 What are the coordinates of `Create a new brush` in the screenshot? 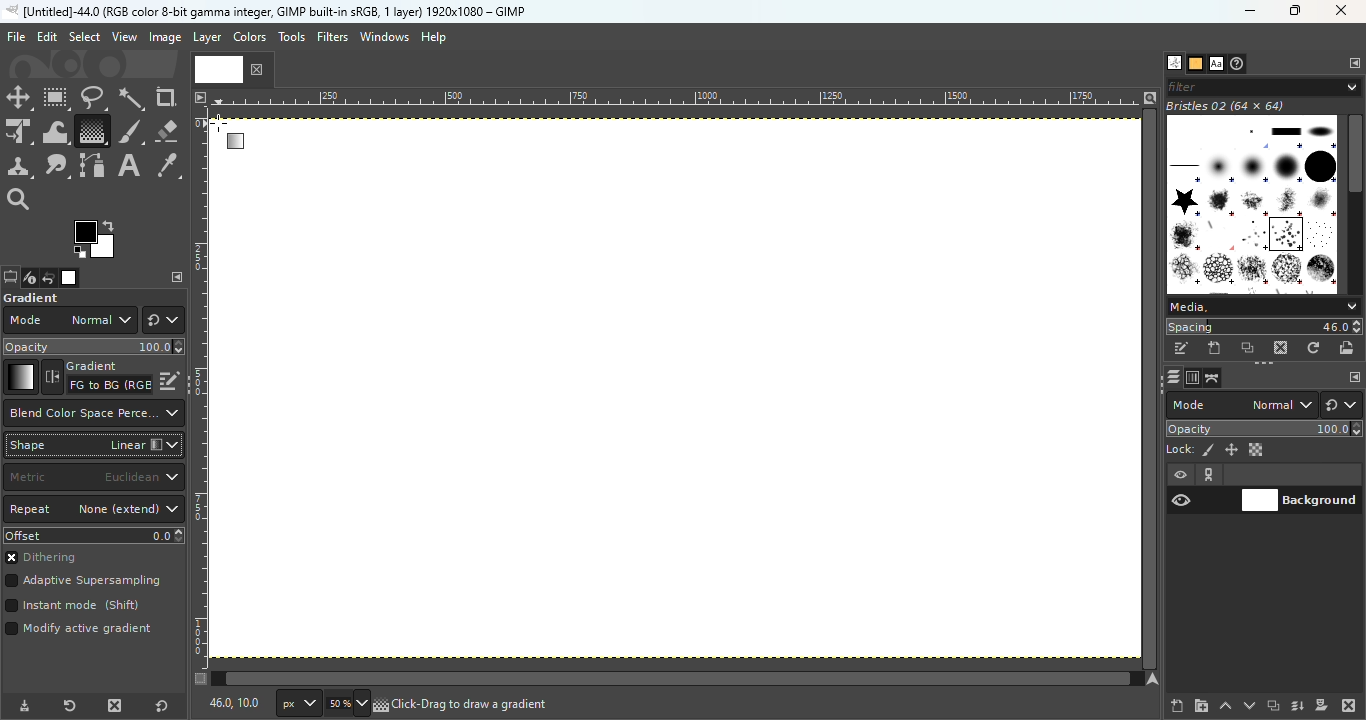 It's located at (1216, 348).